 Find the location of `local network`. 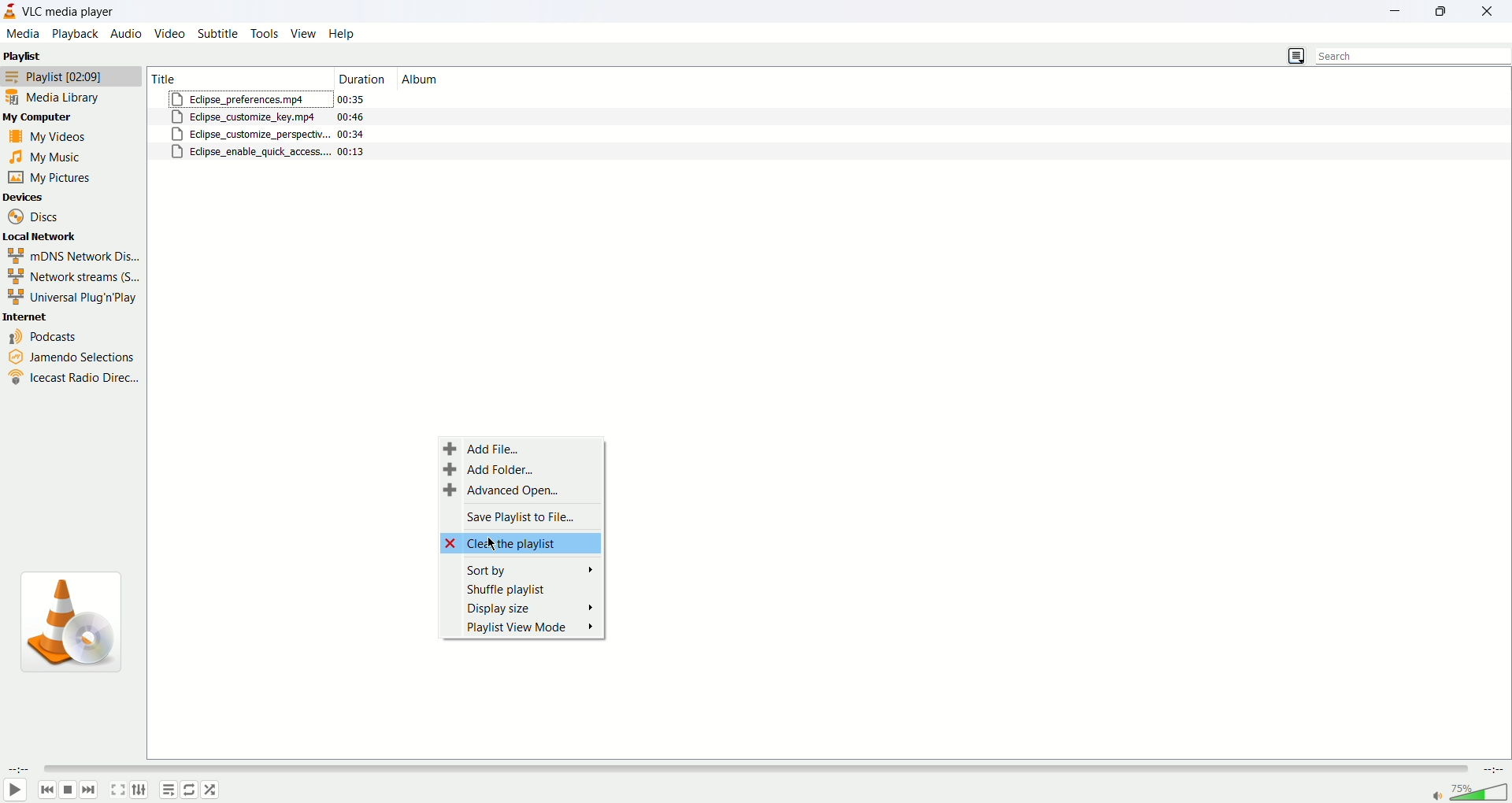

local network is located at coordinates (47, 238).